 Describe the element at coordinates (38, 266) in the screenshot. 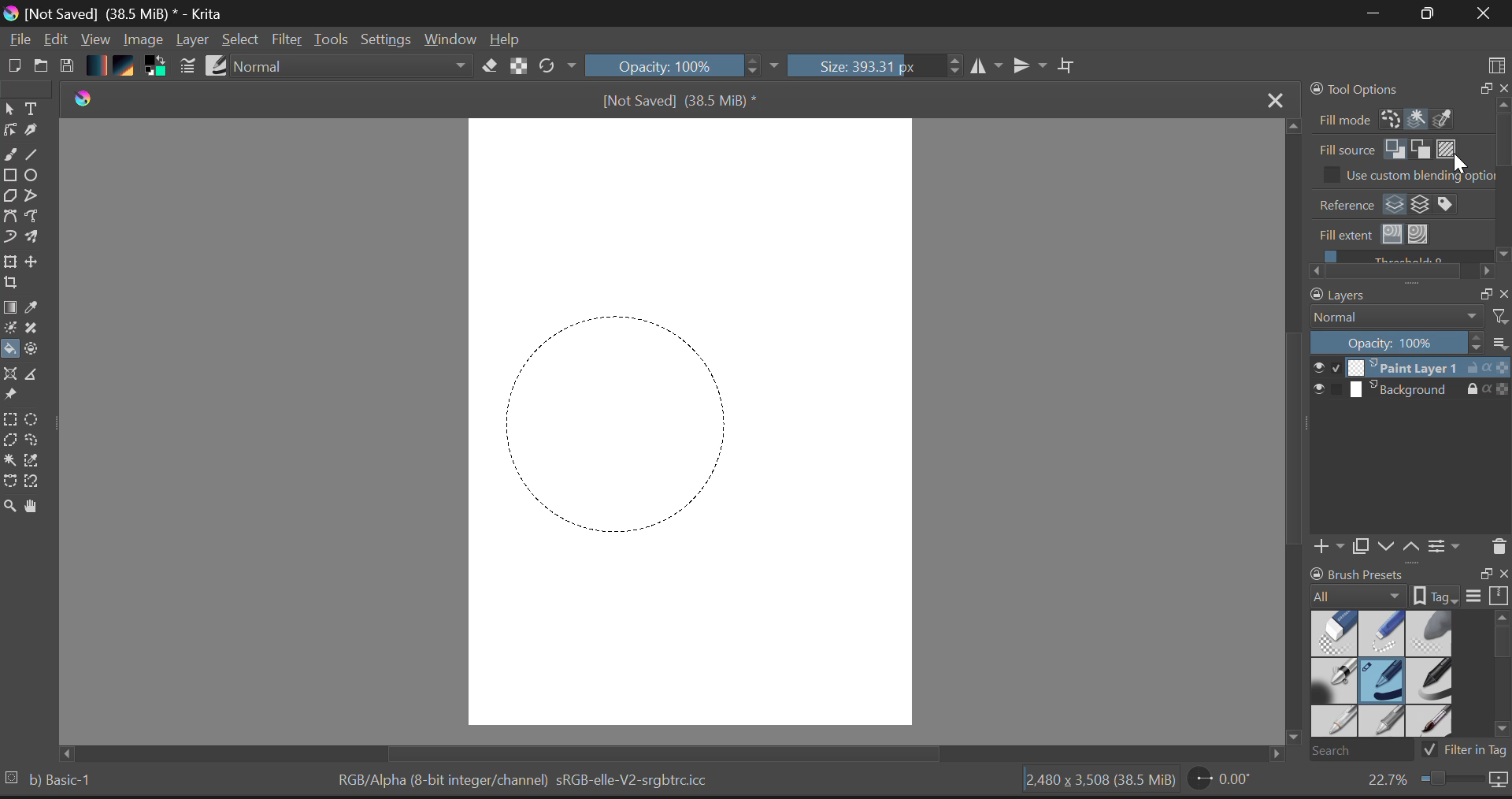

I see `Move Layer` at that location.